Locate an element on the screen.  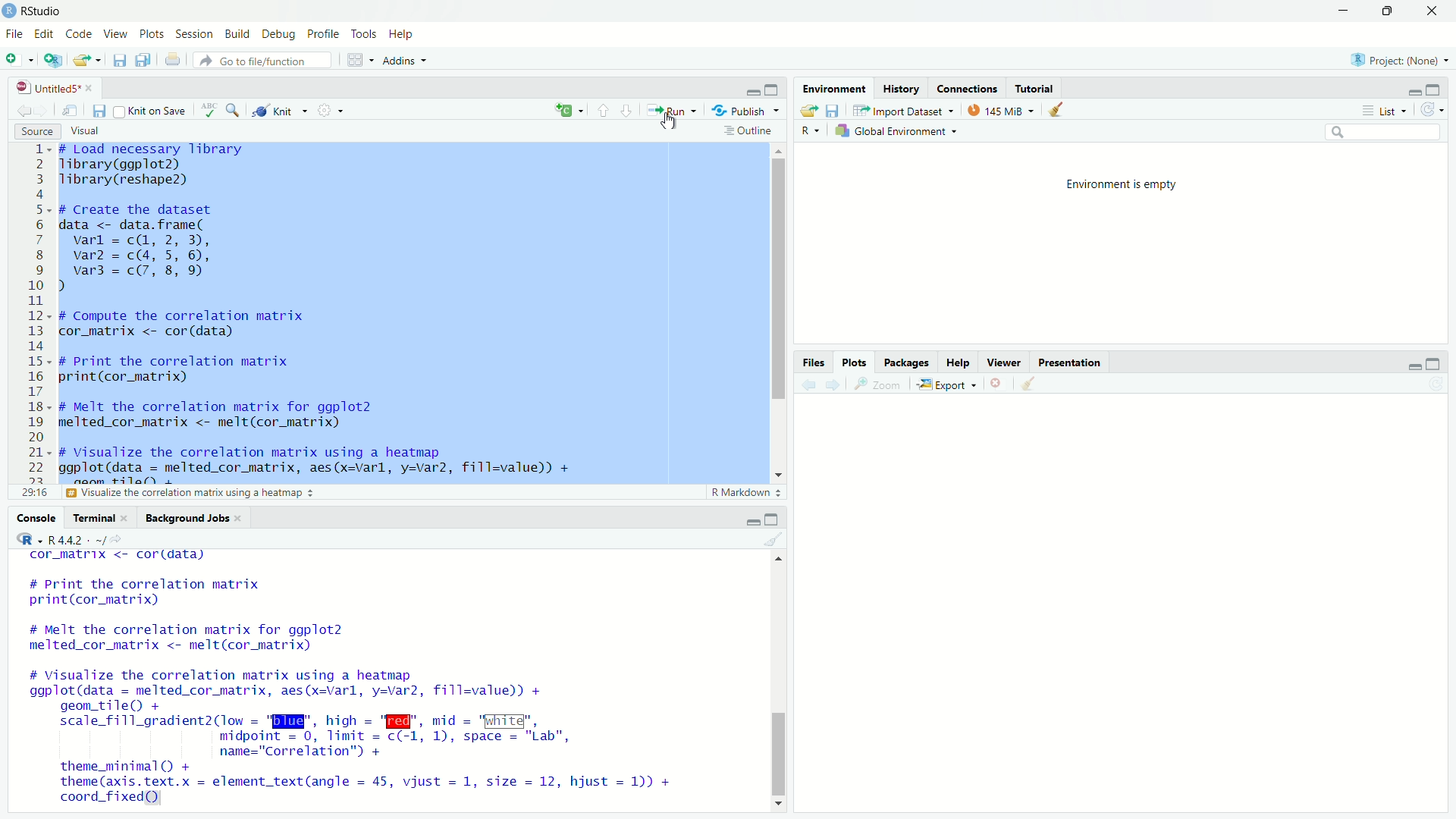
global environment is located at coordinates (896, 132).